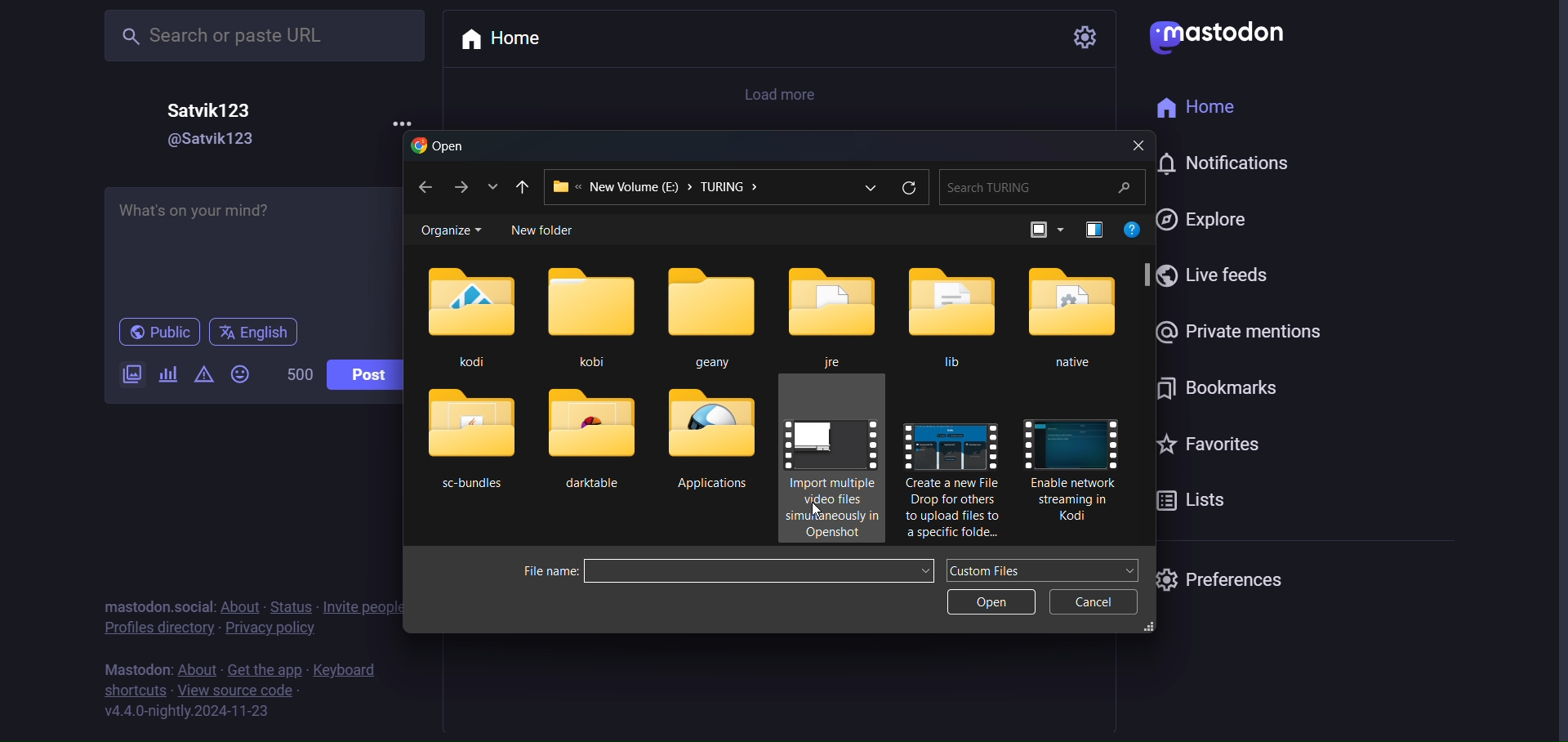 The width and height of the screenshot is (1568, 742). What do you see at coordinates (237, 691) in the screenshot?
I see `source code` at bounding box center [237, 691].